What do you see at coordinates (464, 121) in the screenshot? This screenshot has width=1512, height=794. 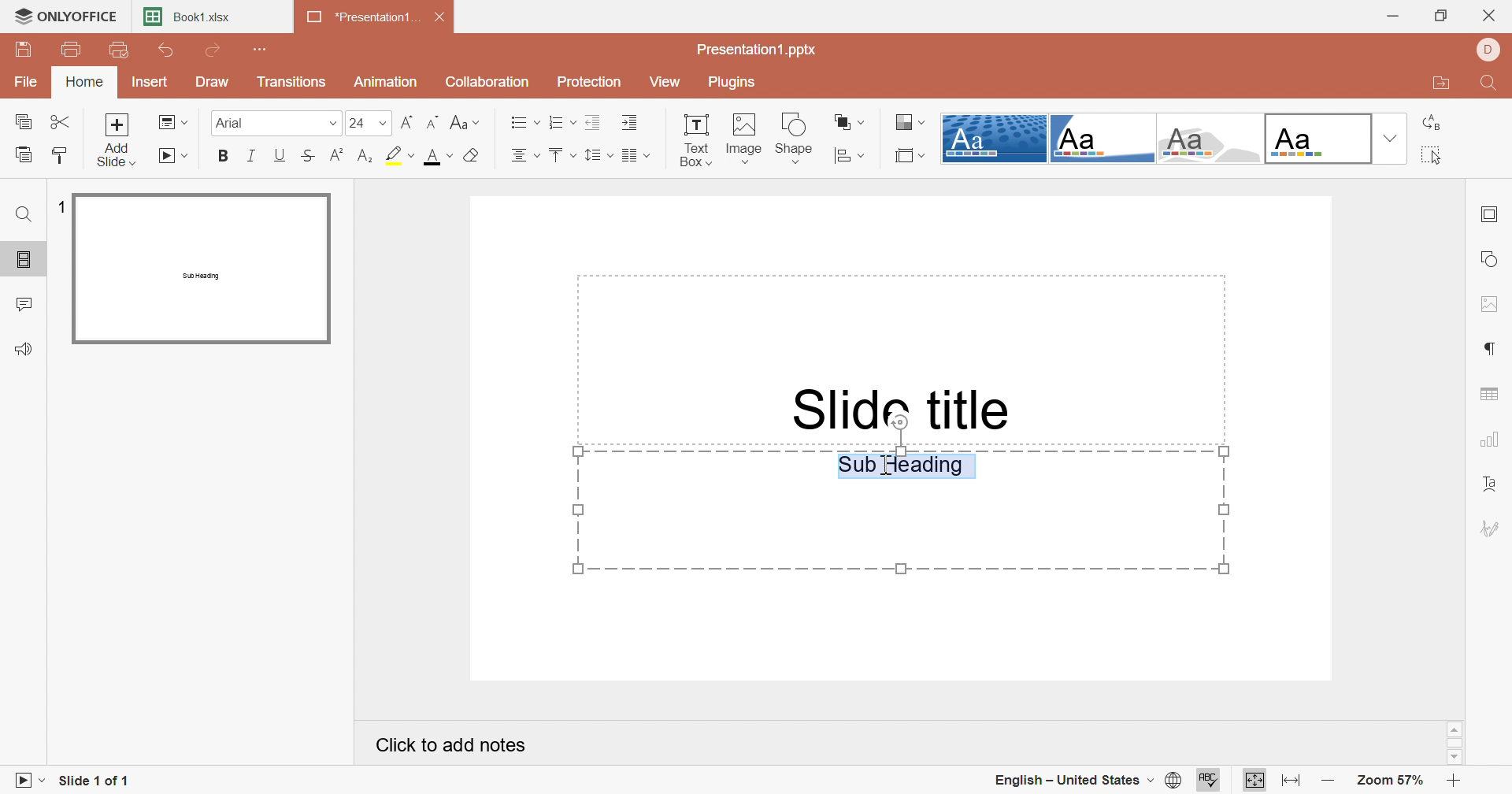 I see `Change case` at bounding box center [464, 121].